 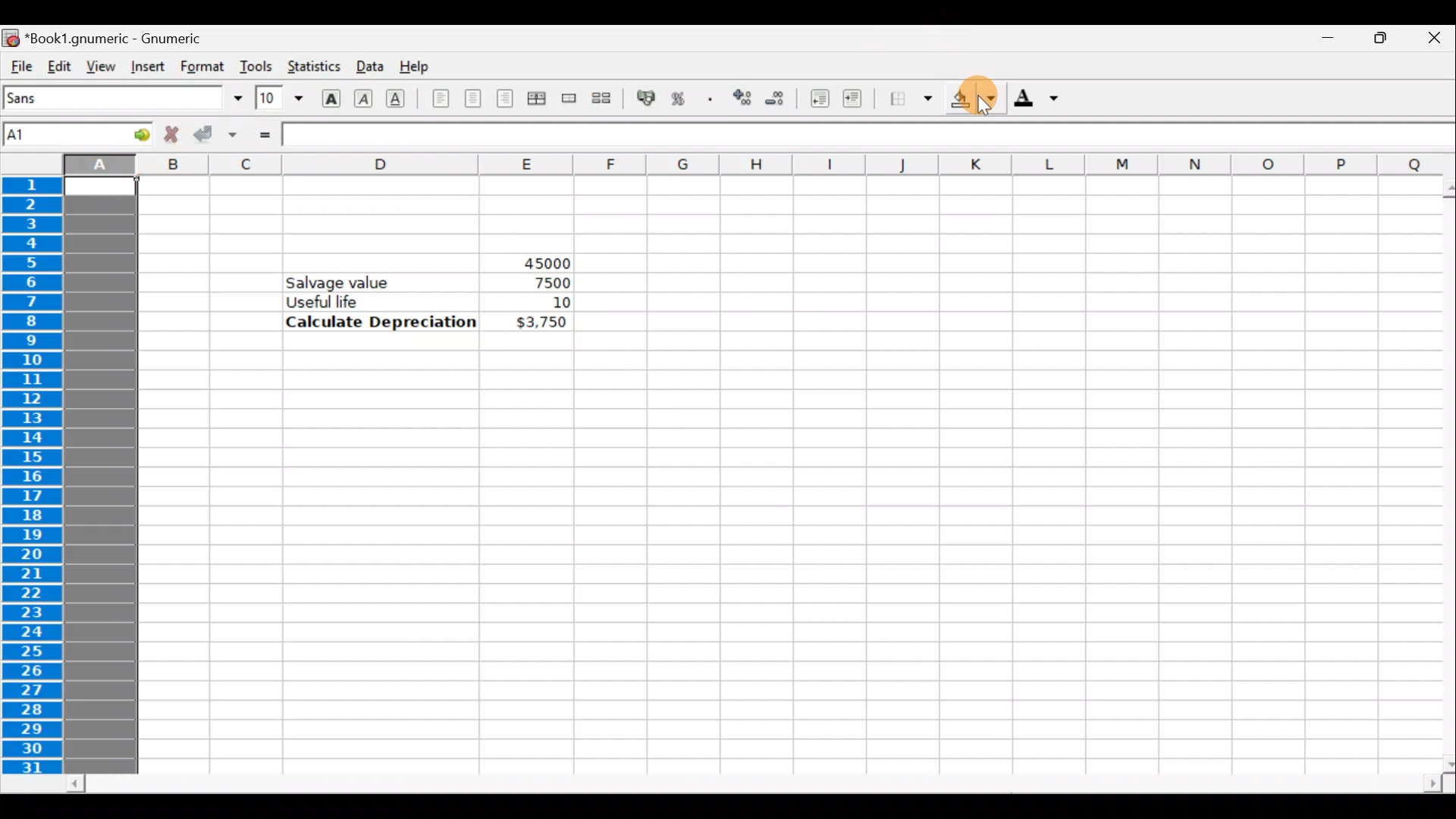 I want to click on Align right, so click(x=504, y=99).